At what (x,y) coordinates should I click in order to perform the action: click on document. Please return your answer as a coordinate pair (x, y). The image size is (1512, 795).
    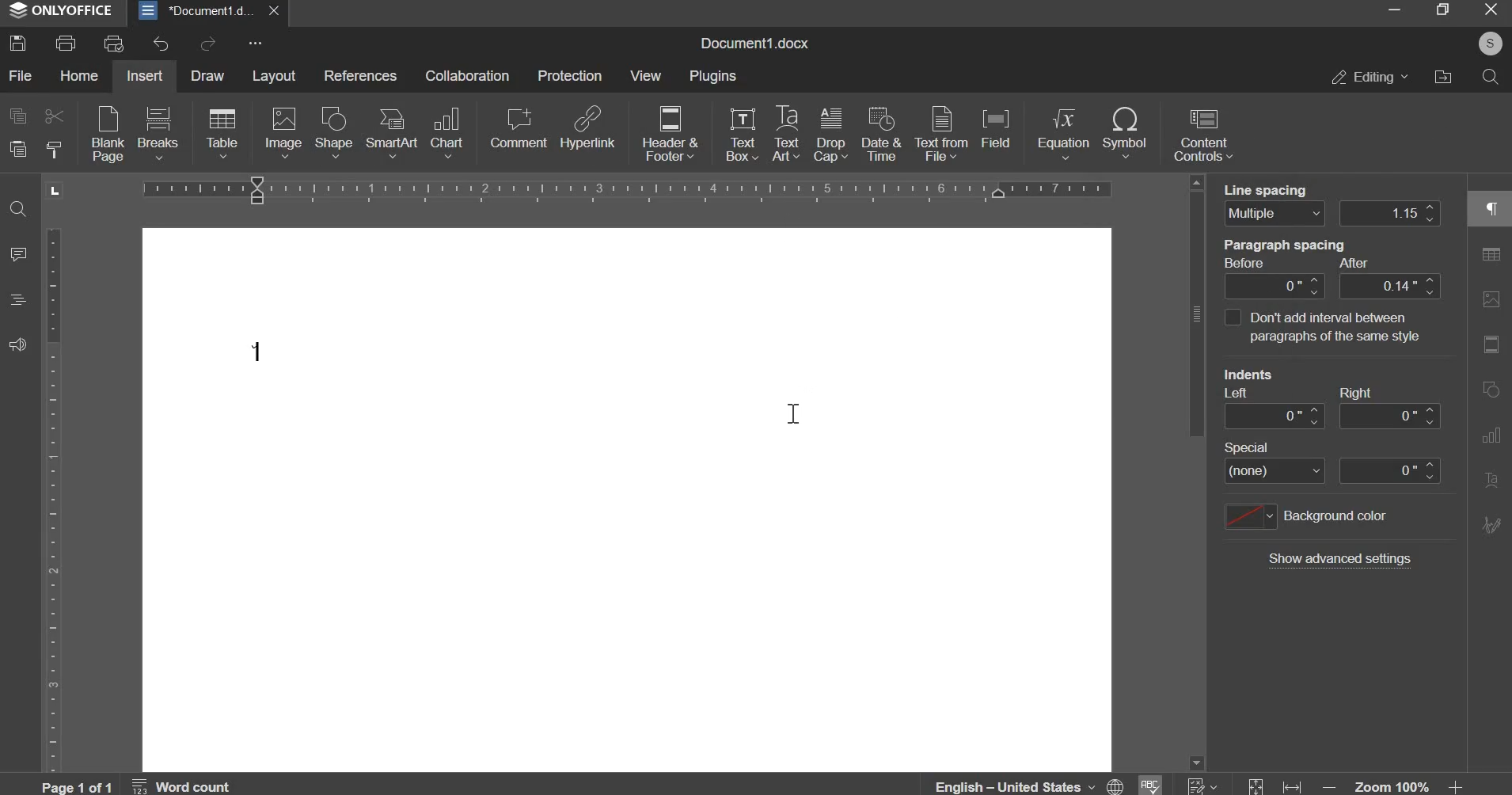
    Looking at the image, I should click on (627, 501).